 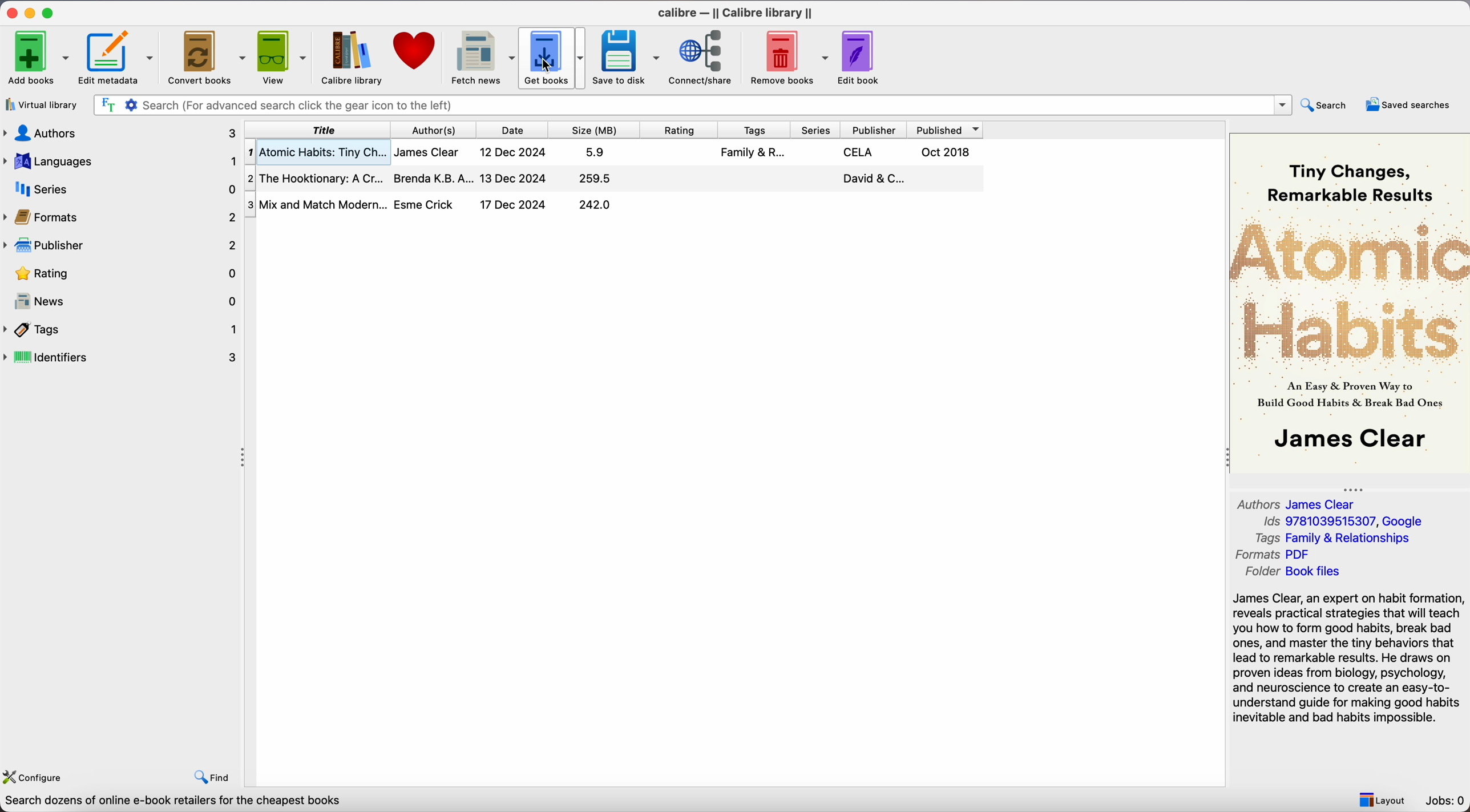 What do you see at coordinates (122, 132) in the screenshot?
I see `authors` at bounding box center [122, 132].